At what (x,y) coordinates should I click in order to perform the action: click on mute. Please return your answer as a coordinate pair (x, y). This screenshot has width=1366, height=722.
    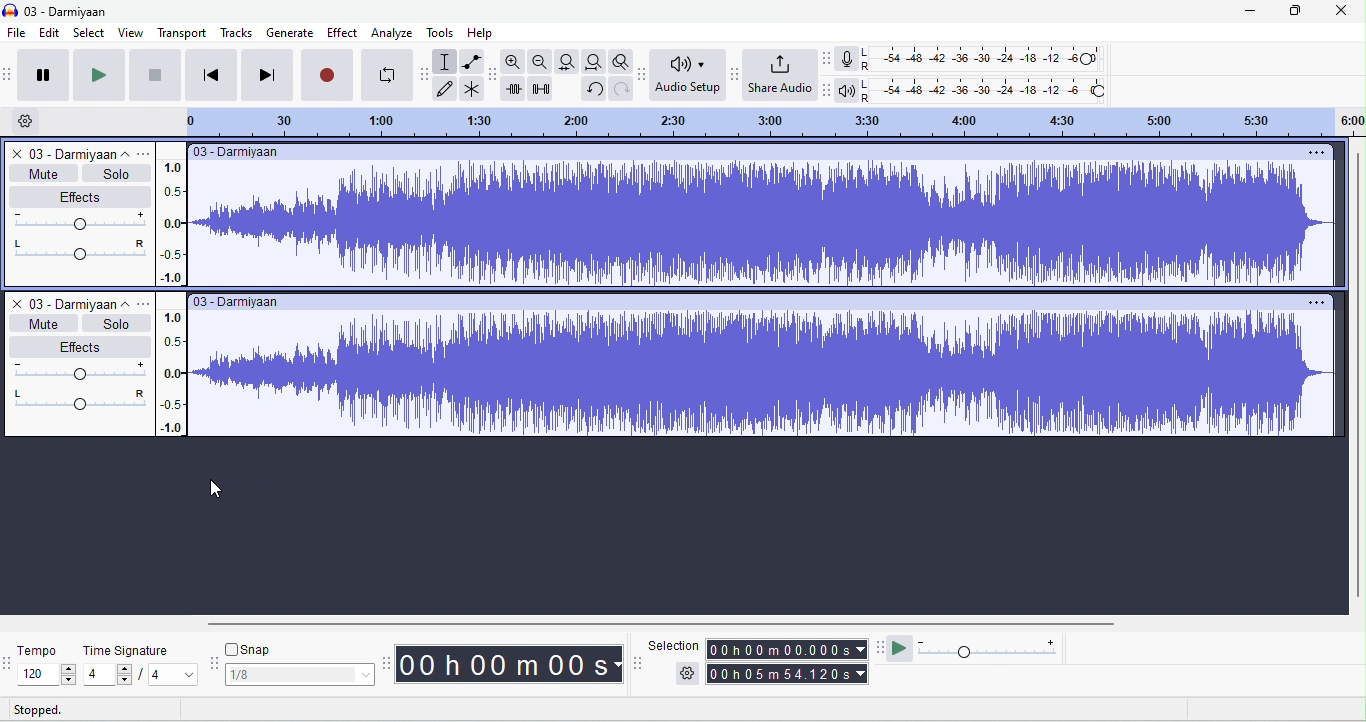
    Looking at the image, I should click on (45, 173).